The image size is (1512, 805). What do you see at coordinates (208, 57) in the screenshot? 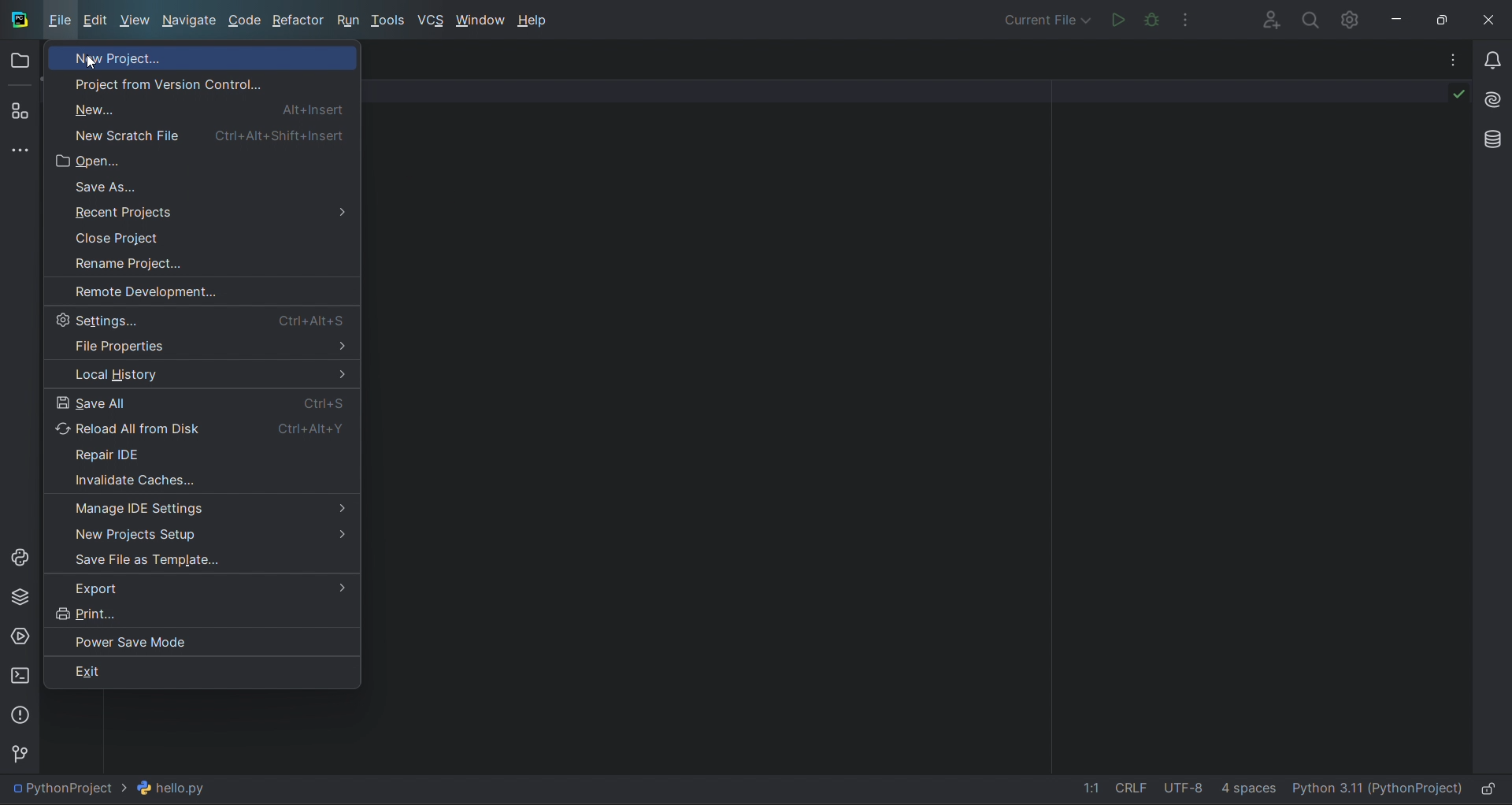
I see `new project` at bounding box center [208, 57].